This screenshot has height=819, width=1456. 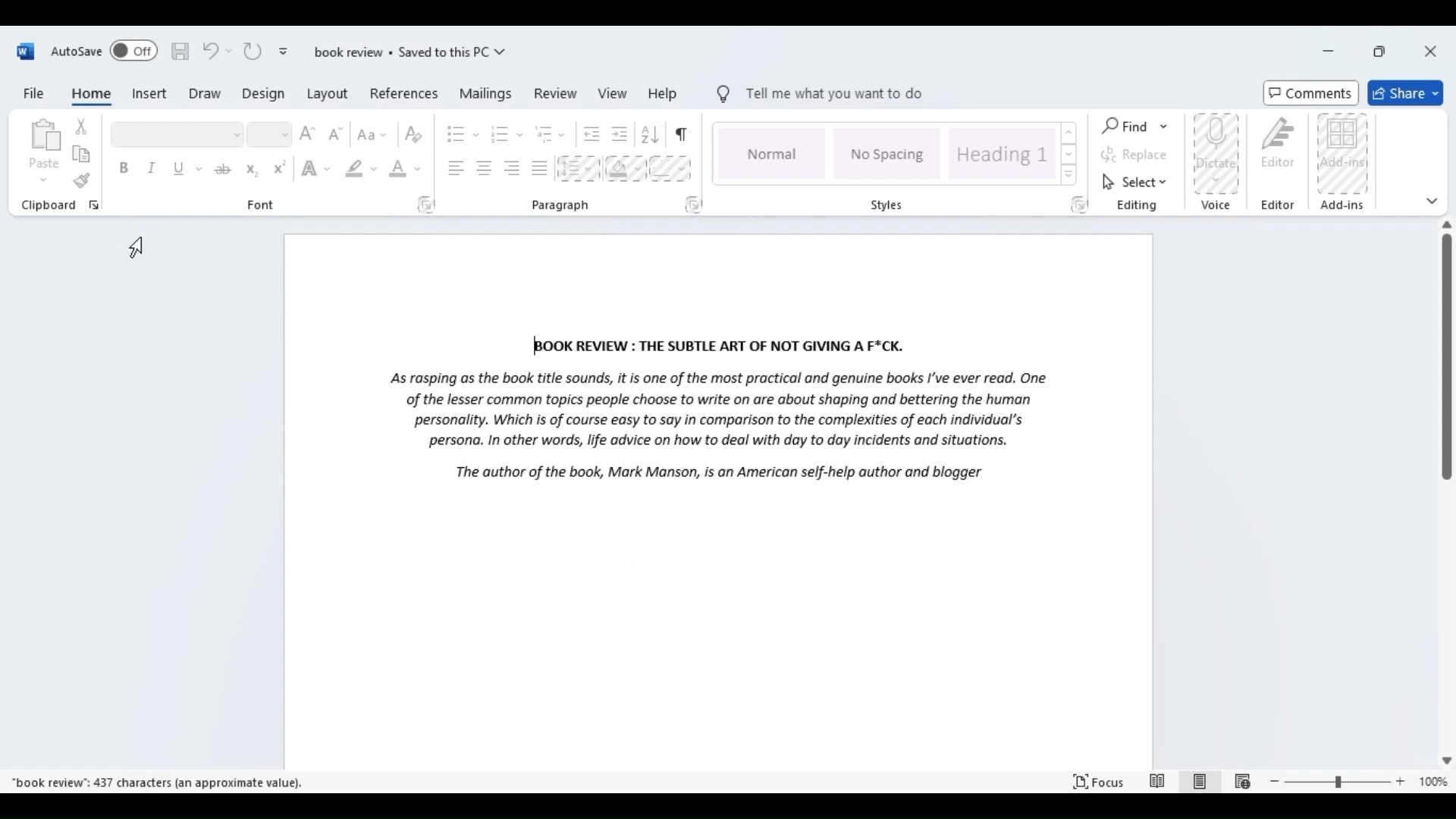 What do you see at coordinates (30, 93) in the screenshot?
I see `File` at bounding box center [30, 93].